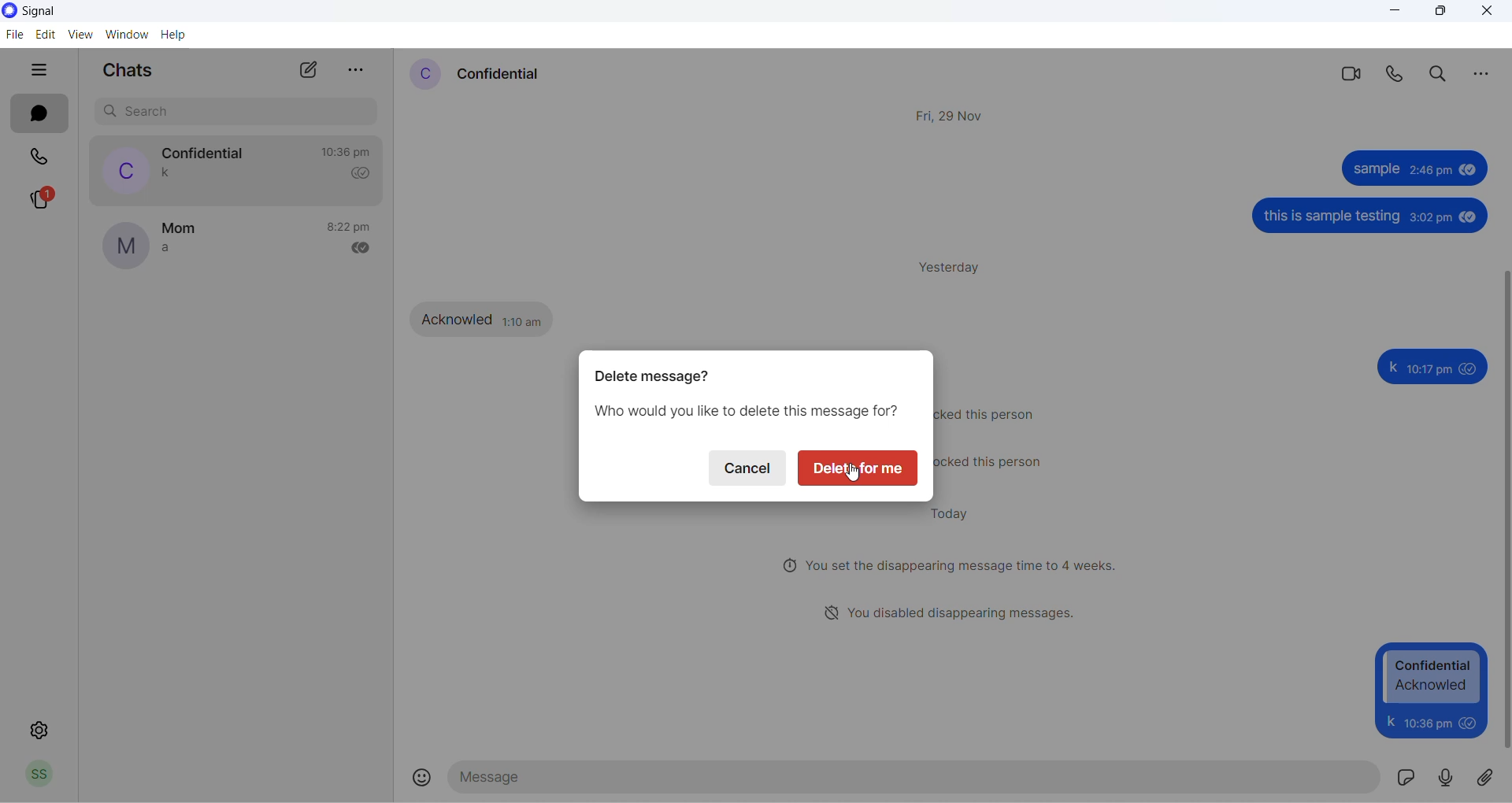  What do you see at coordinates (1469, 220) in the screenshot?
I see `seen` at bounding box center [1469, 220].